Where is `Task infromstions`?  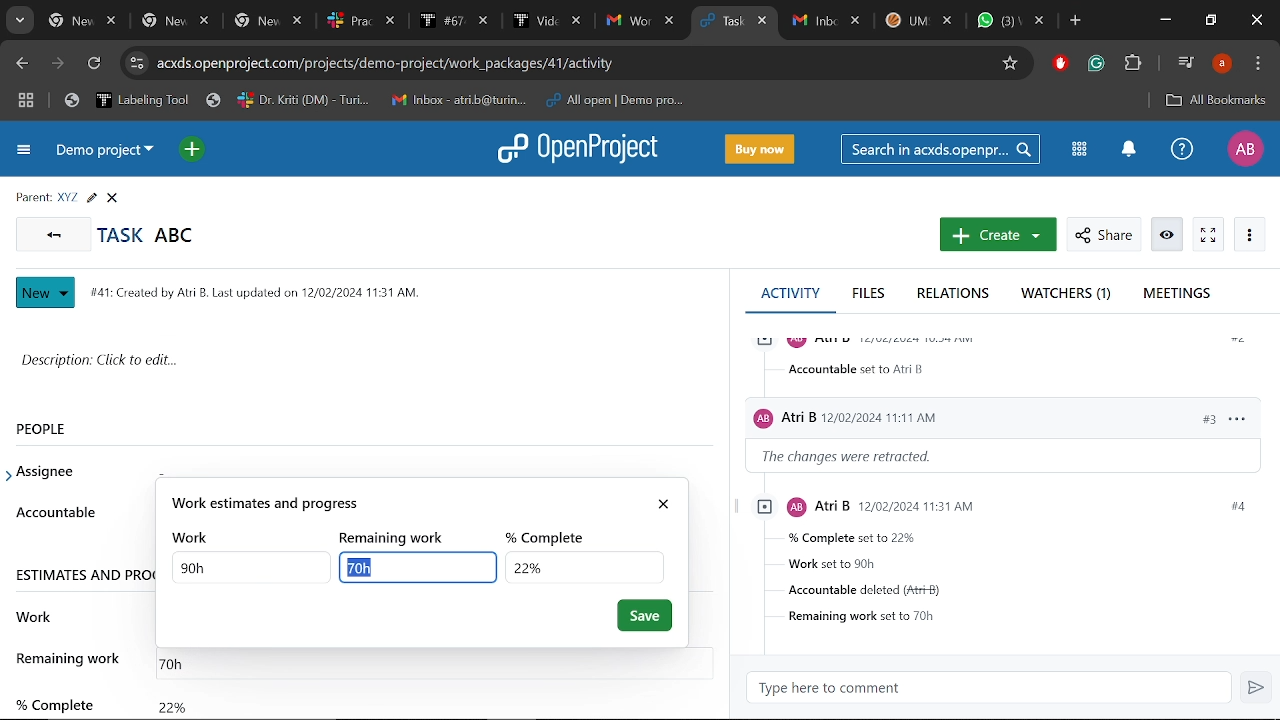 Task infromstions is located at coordinates (1005, 561).